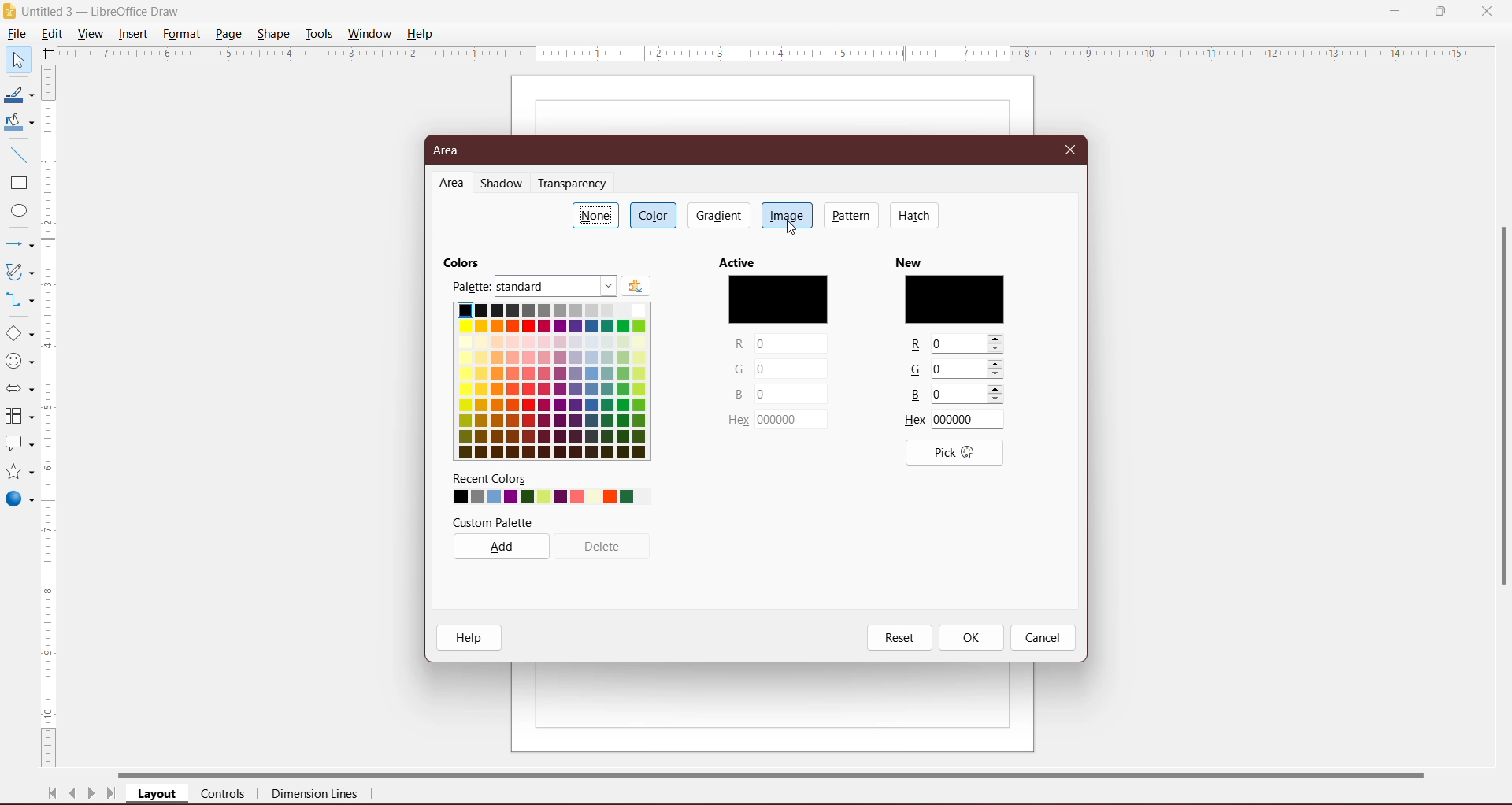 The height and width of the screenshot is (805, 1512). Describe the element at coordinates (472, 637) in the screenshot. I see `Help` at that location.